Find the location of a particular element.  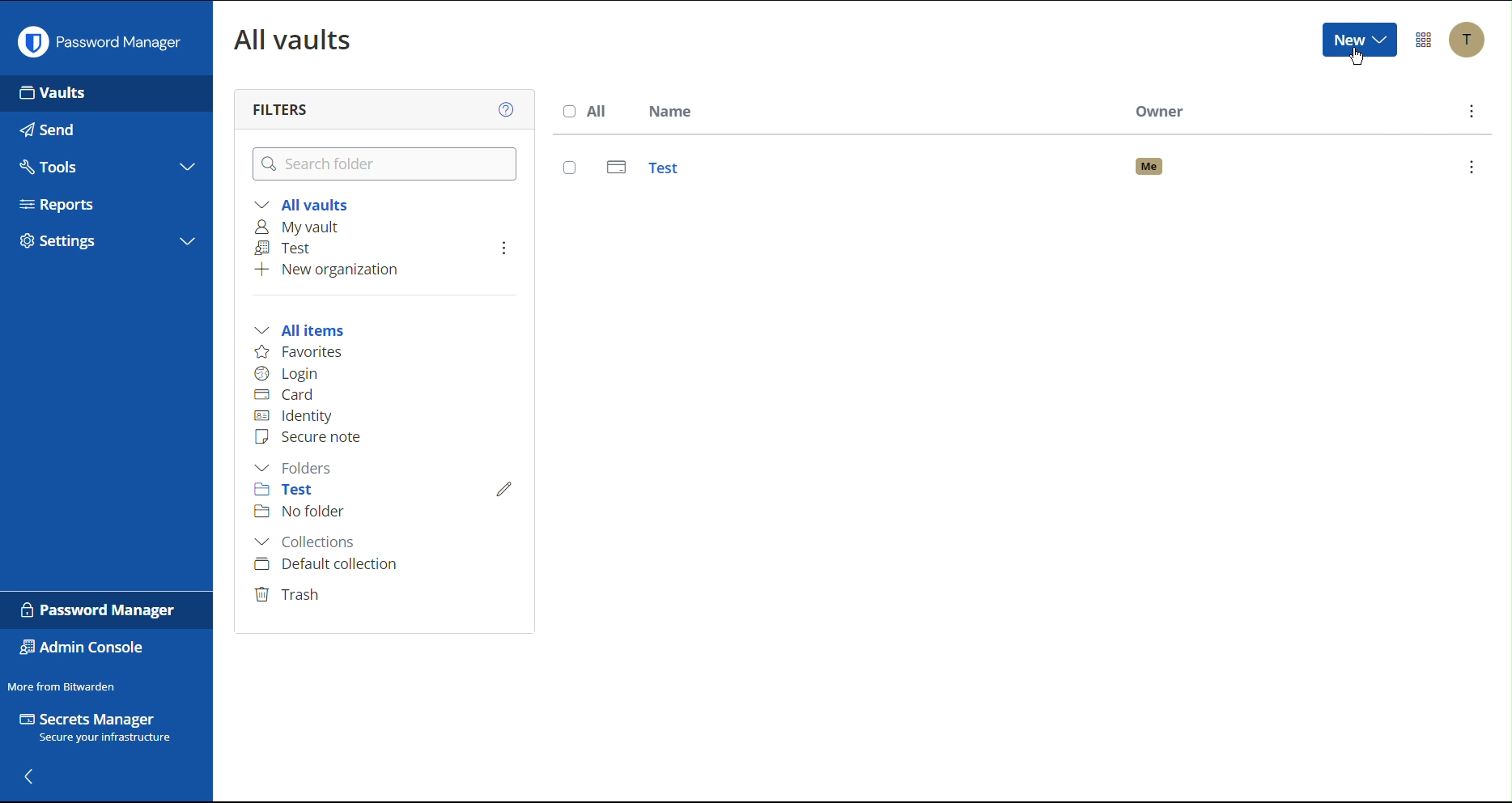

Owner is located at coordinates (1164, 111).